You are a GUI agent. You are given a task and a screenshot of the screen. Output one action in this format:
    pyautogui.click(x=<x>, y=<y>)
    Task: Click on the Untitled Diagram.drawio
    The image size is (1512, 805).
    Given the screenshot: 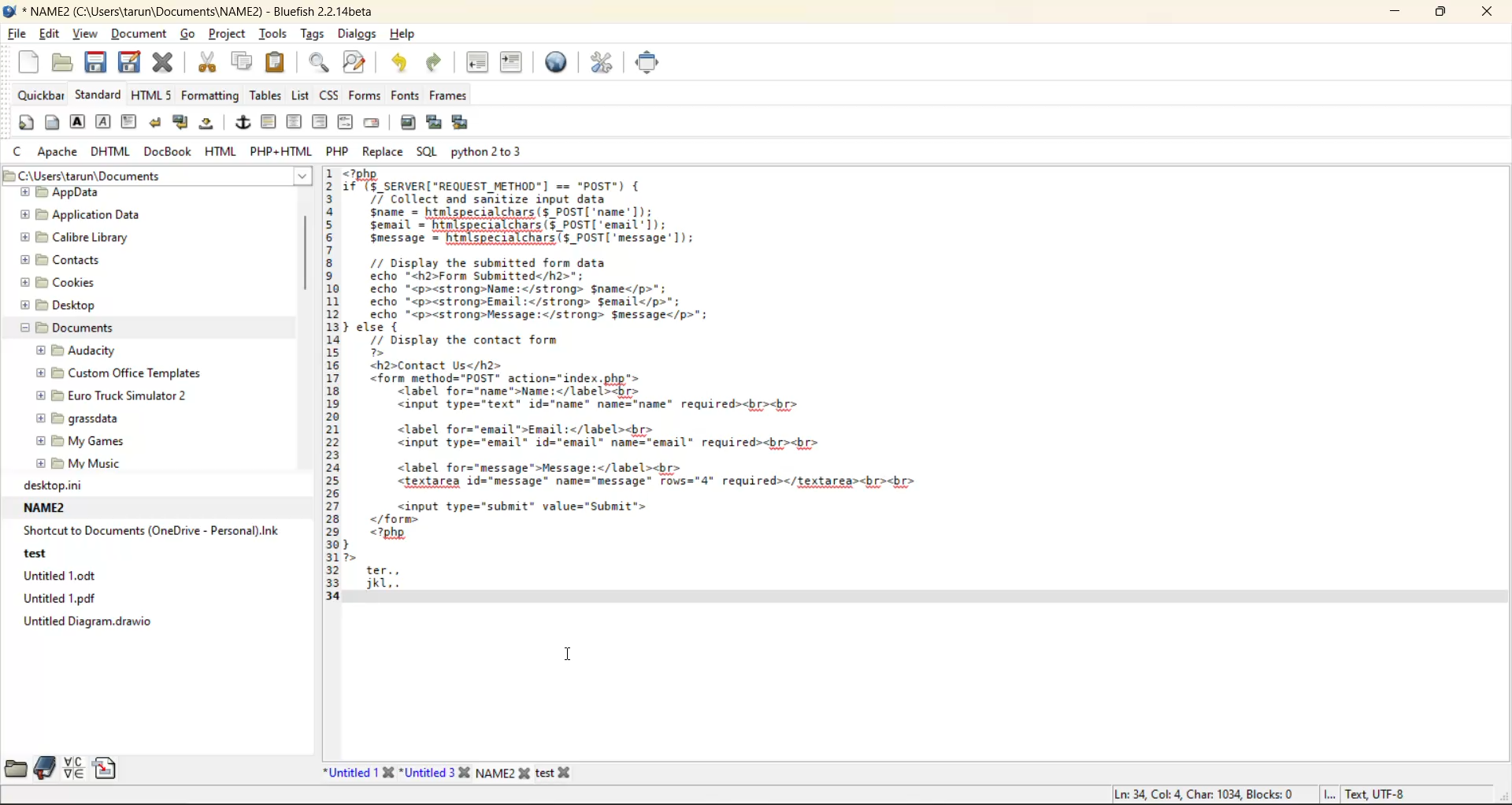 What is the action you would take?
    pyautogui.click(x=84, y=624)
    